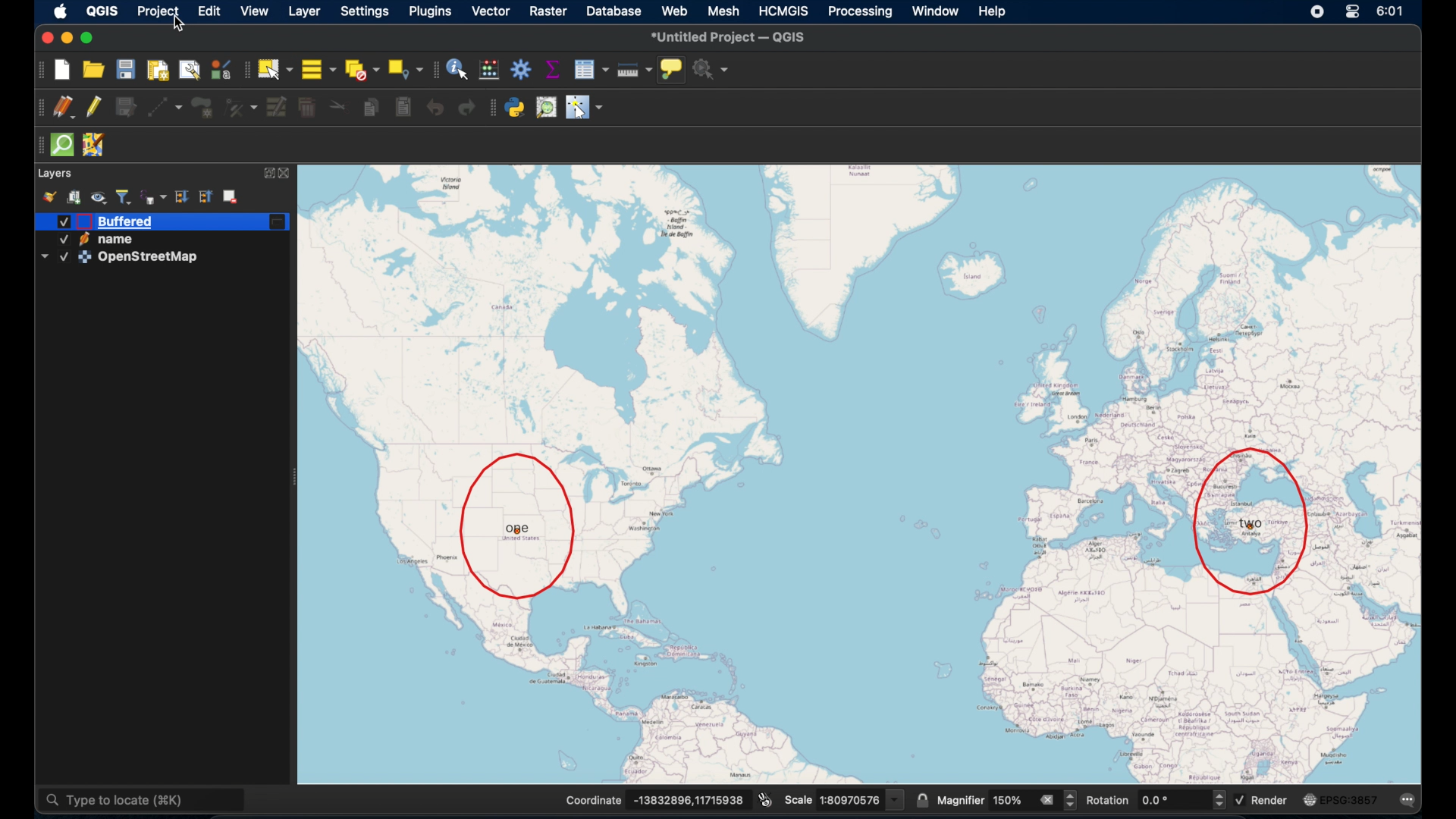 The height and width of the screenshot is (819, 1456). What do you see at coordinates (166, 106) in the screenshot?
I see `digitize with segment` at bounding box center [166, 106].